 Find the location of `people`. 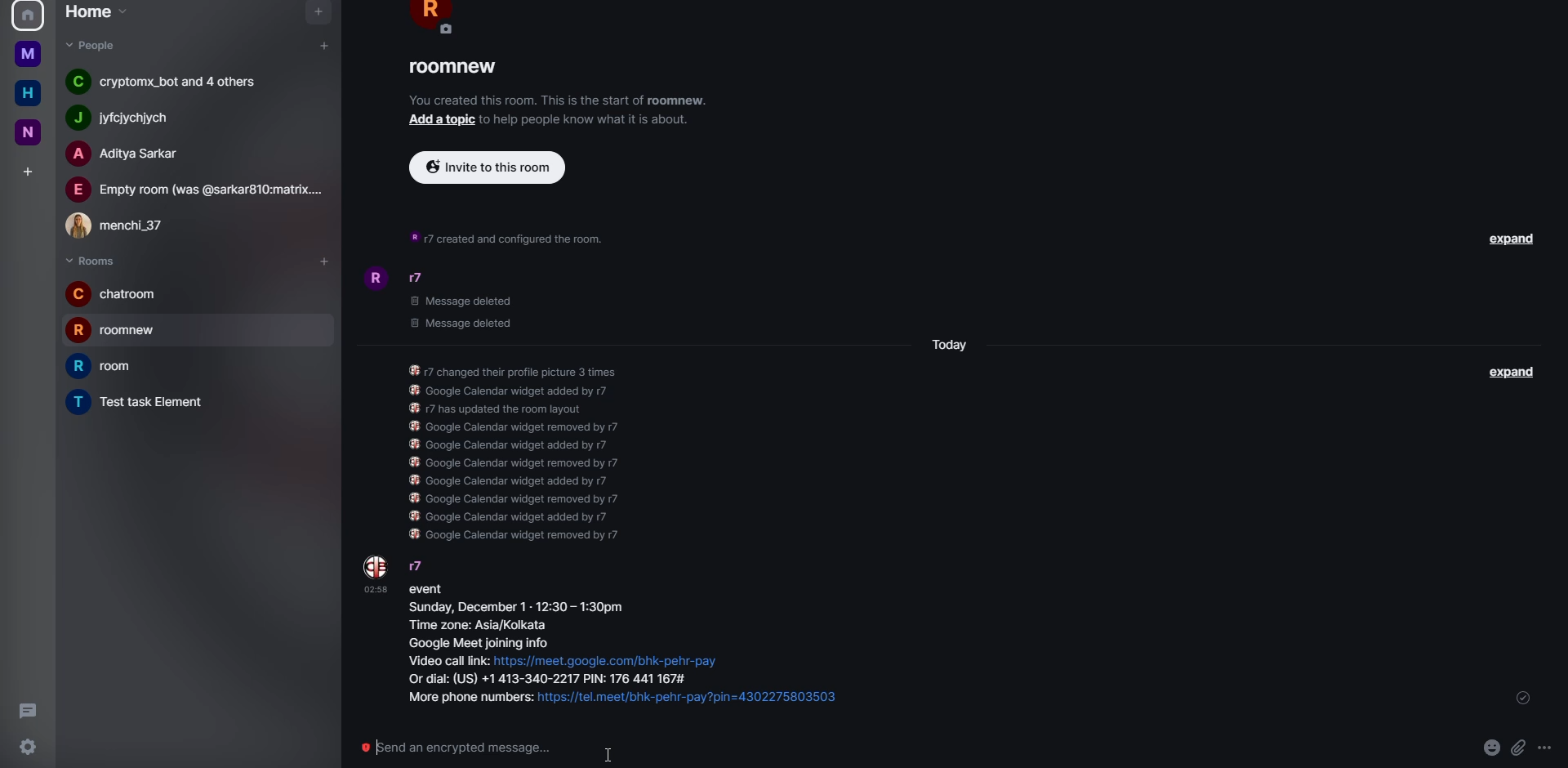

people is located at coordinates (122, 225).